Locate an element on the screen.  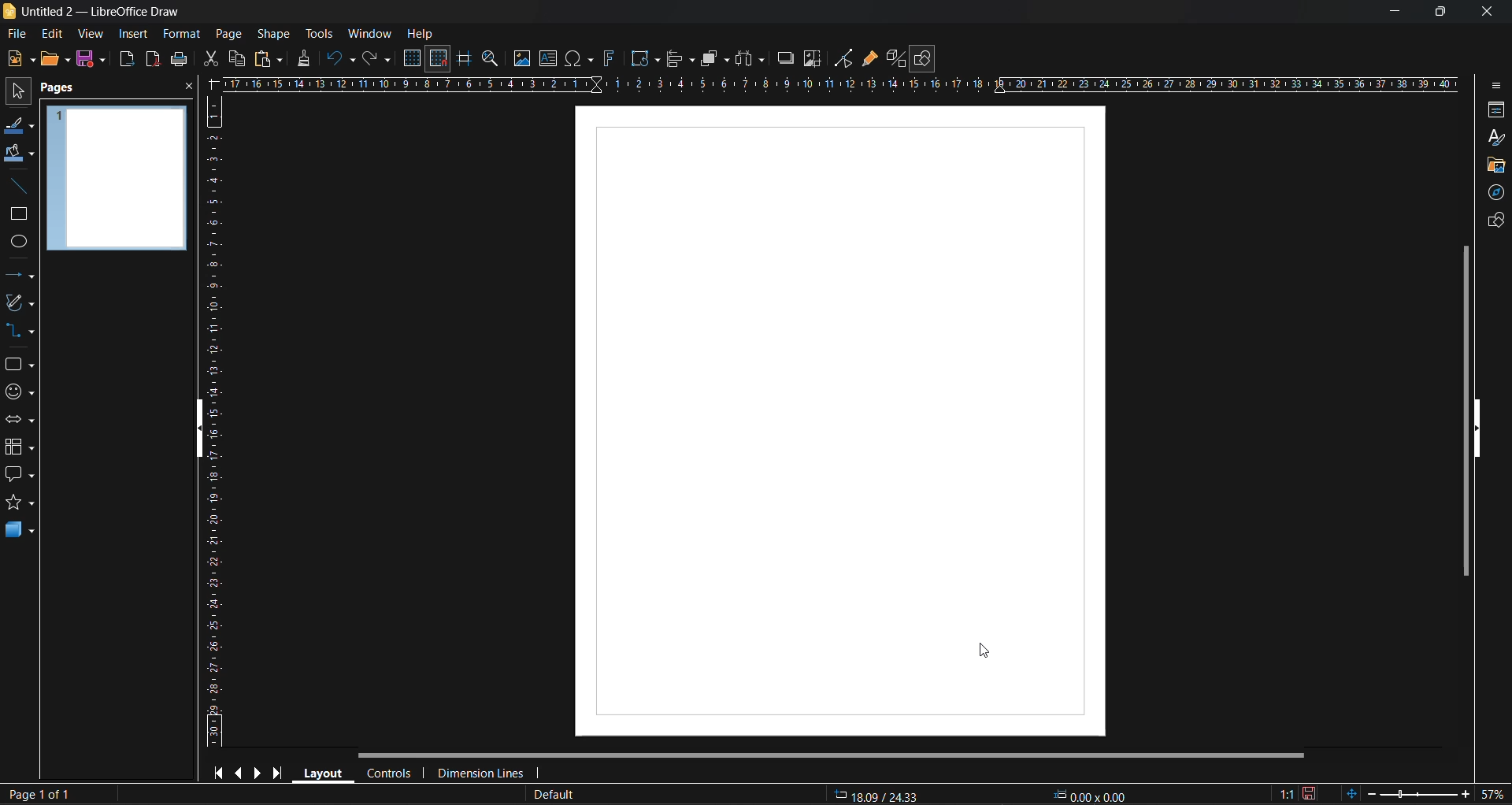
tools is located at coordinates (320, 33).